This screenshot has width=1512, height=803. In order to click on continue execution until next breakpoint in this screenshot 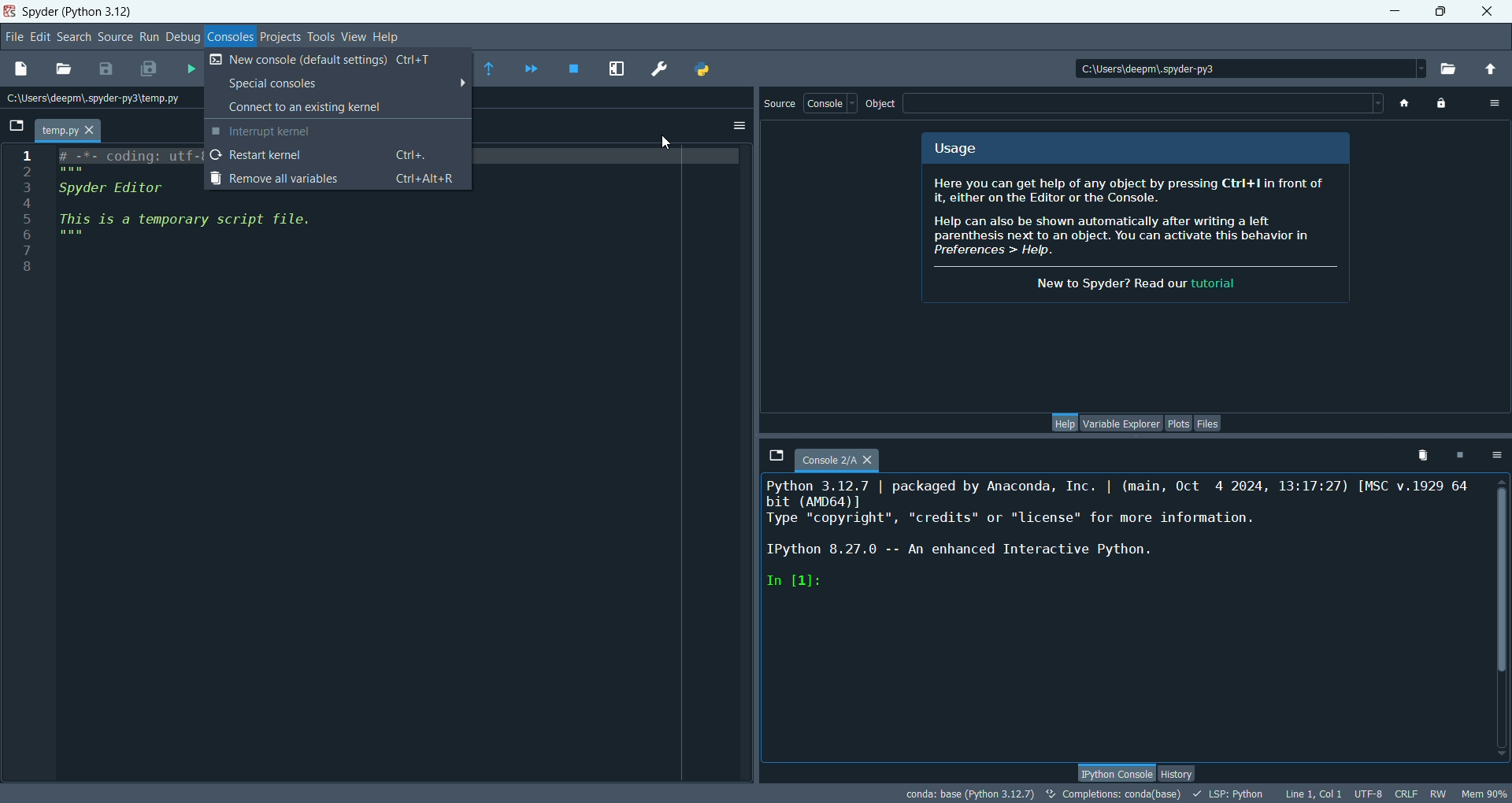, I will do `click(531, 69)`.